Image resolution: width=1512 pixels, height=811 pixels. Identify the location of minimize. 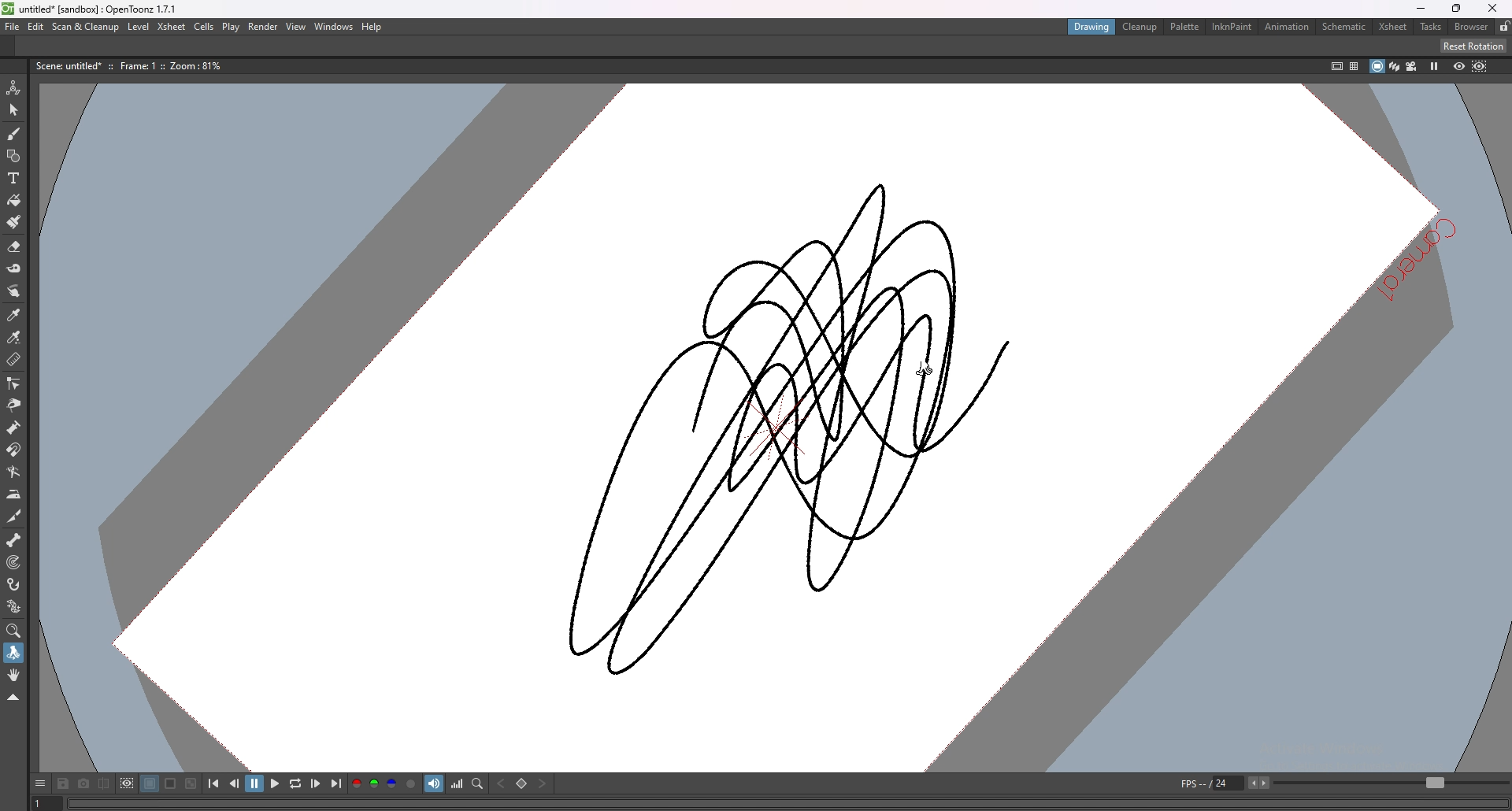
(1422, 9).